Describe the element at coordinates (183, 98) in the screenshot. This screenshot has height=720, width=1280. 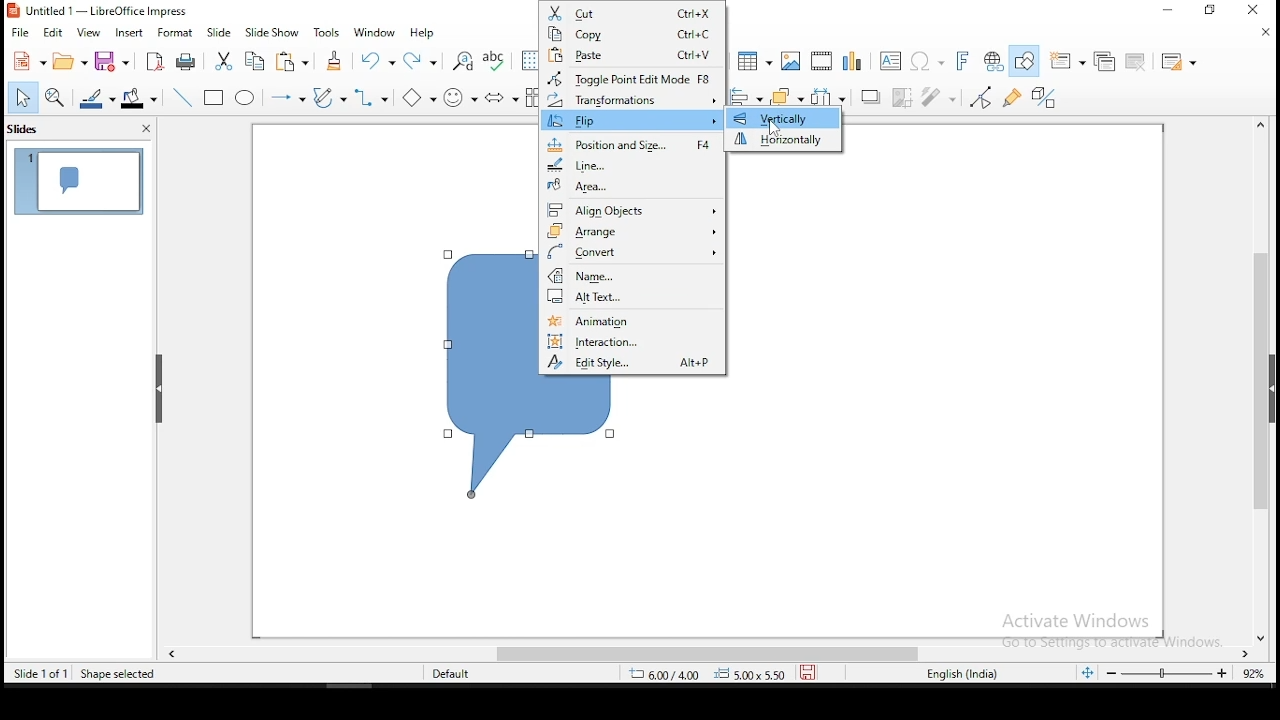
I see `line` at that location.